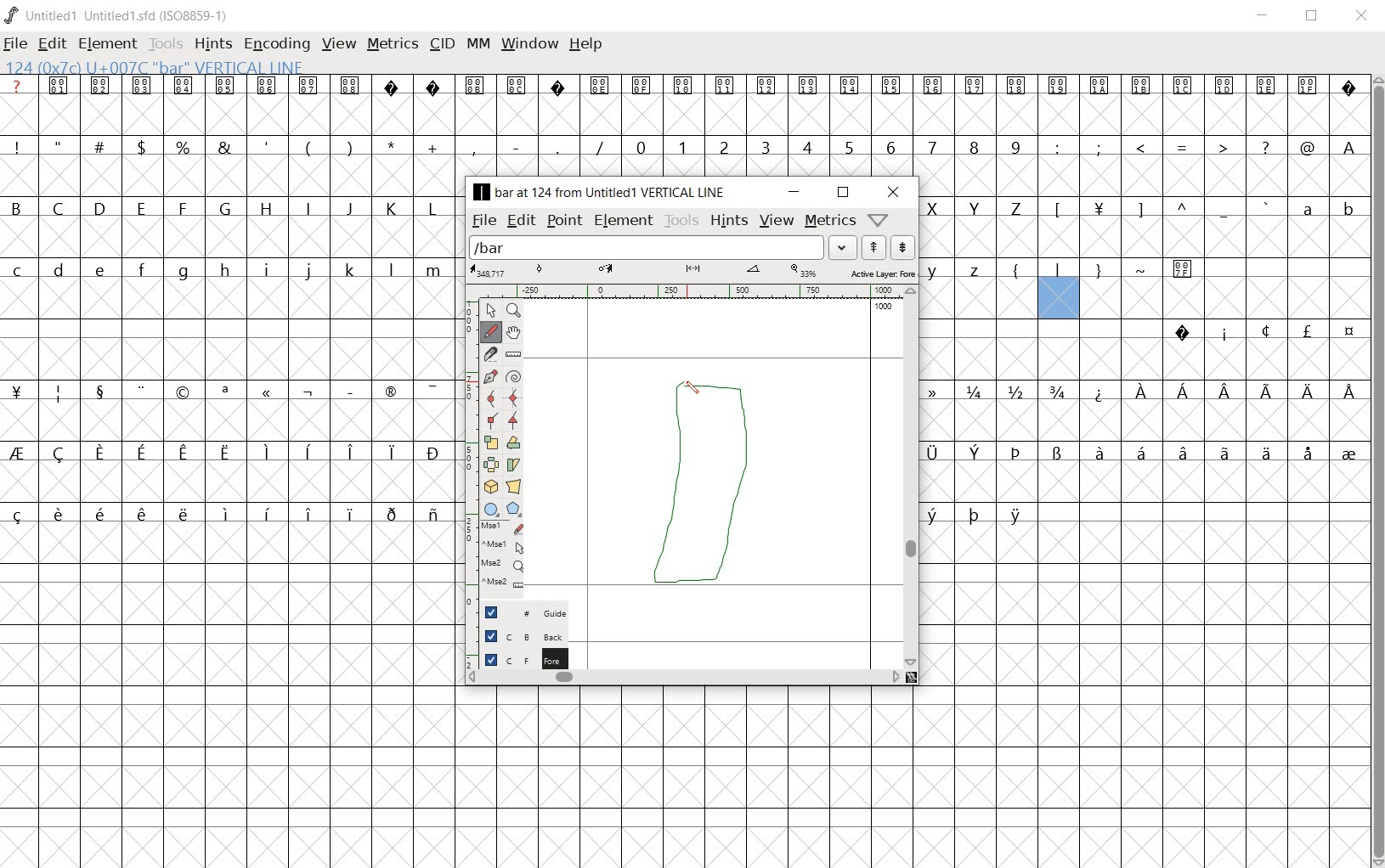 The height and width of the screenshot is (868, 1385). What do you see at coordinates (1313, 16) in the screenshot?
I see `restore down` at bounding box center [1313, 16].